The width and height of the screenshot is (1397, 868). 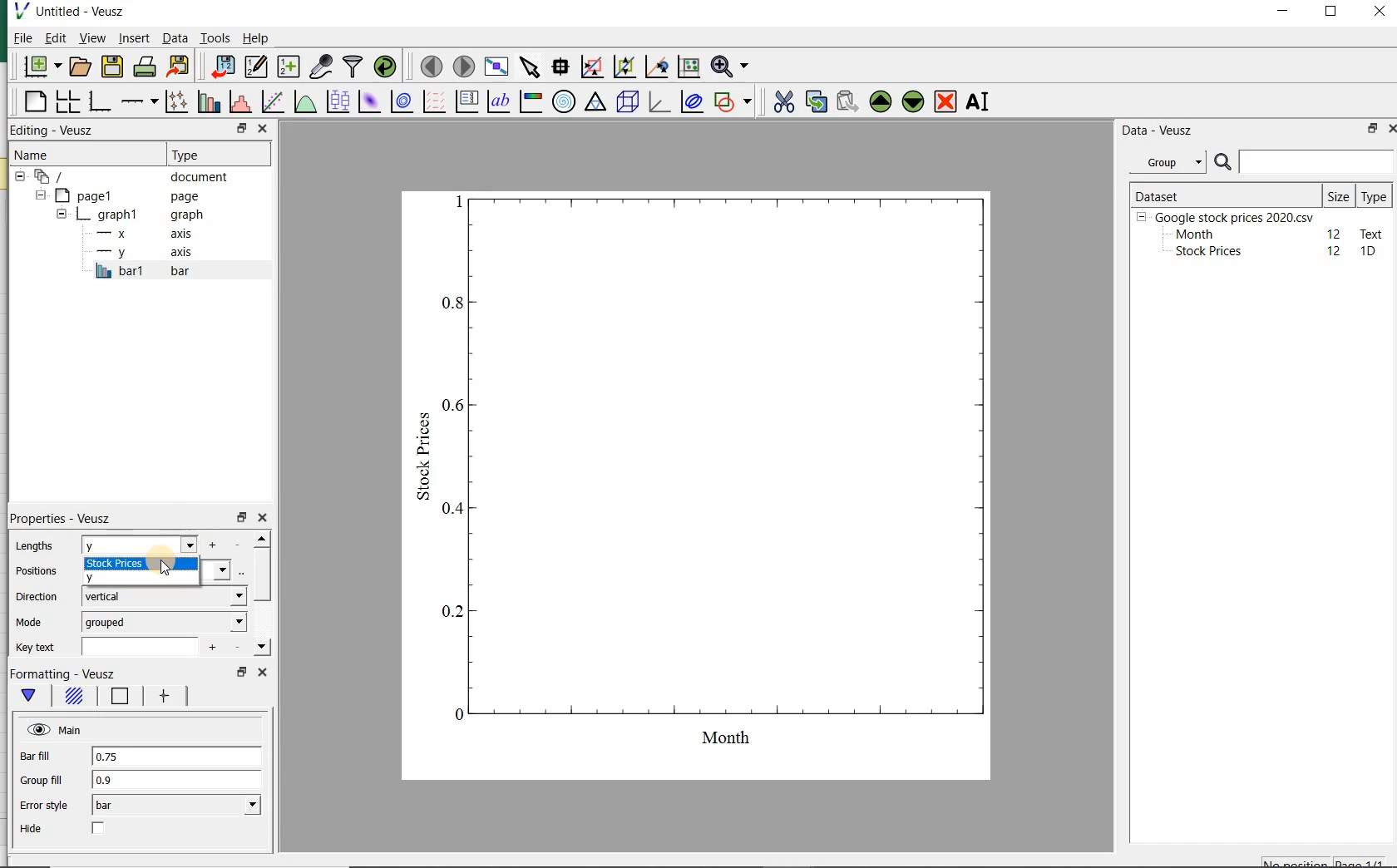 What do you see at coordinates (145, 68) in the screenshot?
I see `print the document` at bounding box center [145, 68].